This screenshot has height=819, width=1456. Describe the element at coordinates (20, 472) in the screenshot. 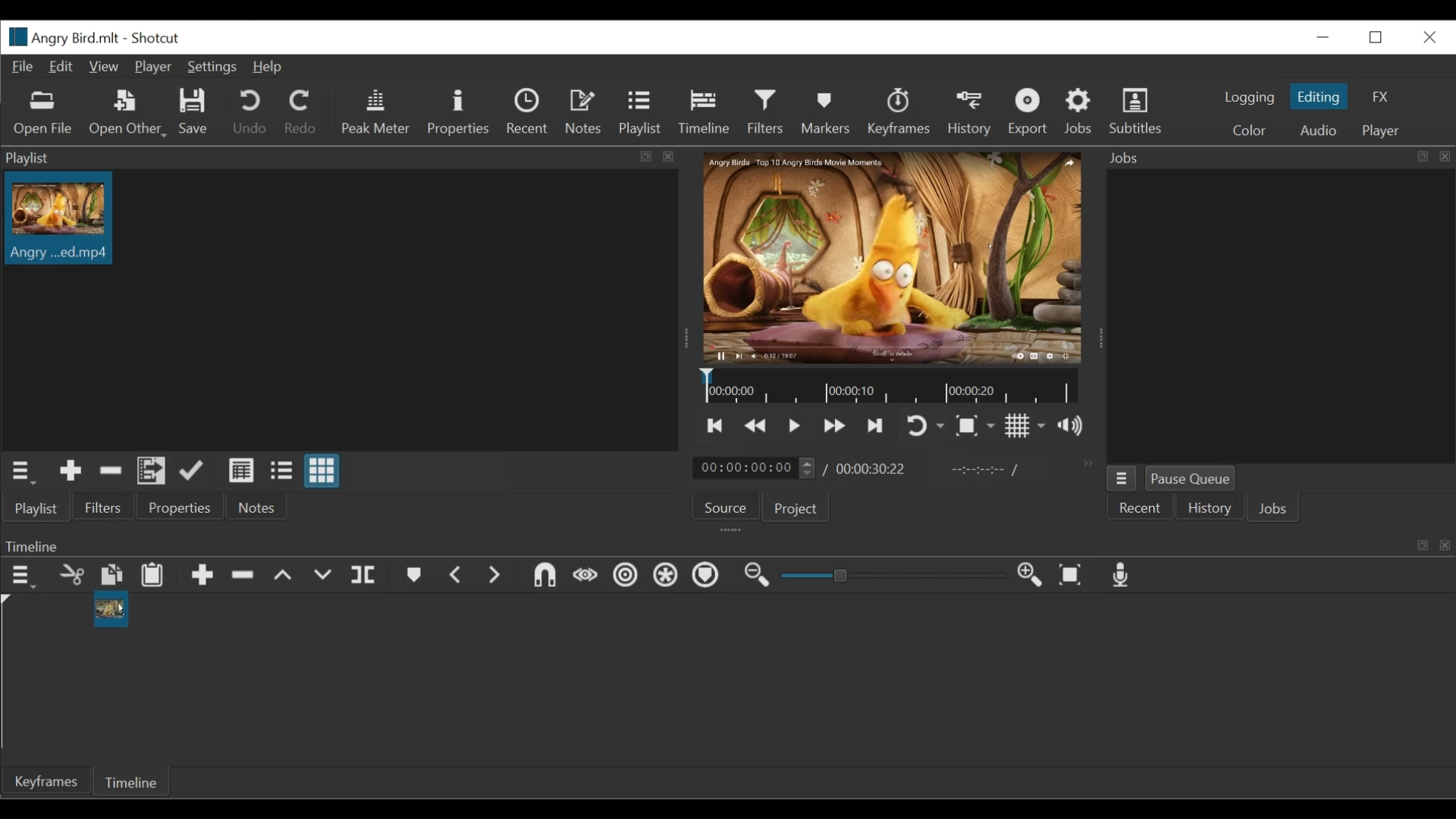

I see `Playlist menu` at that location.